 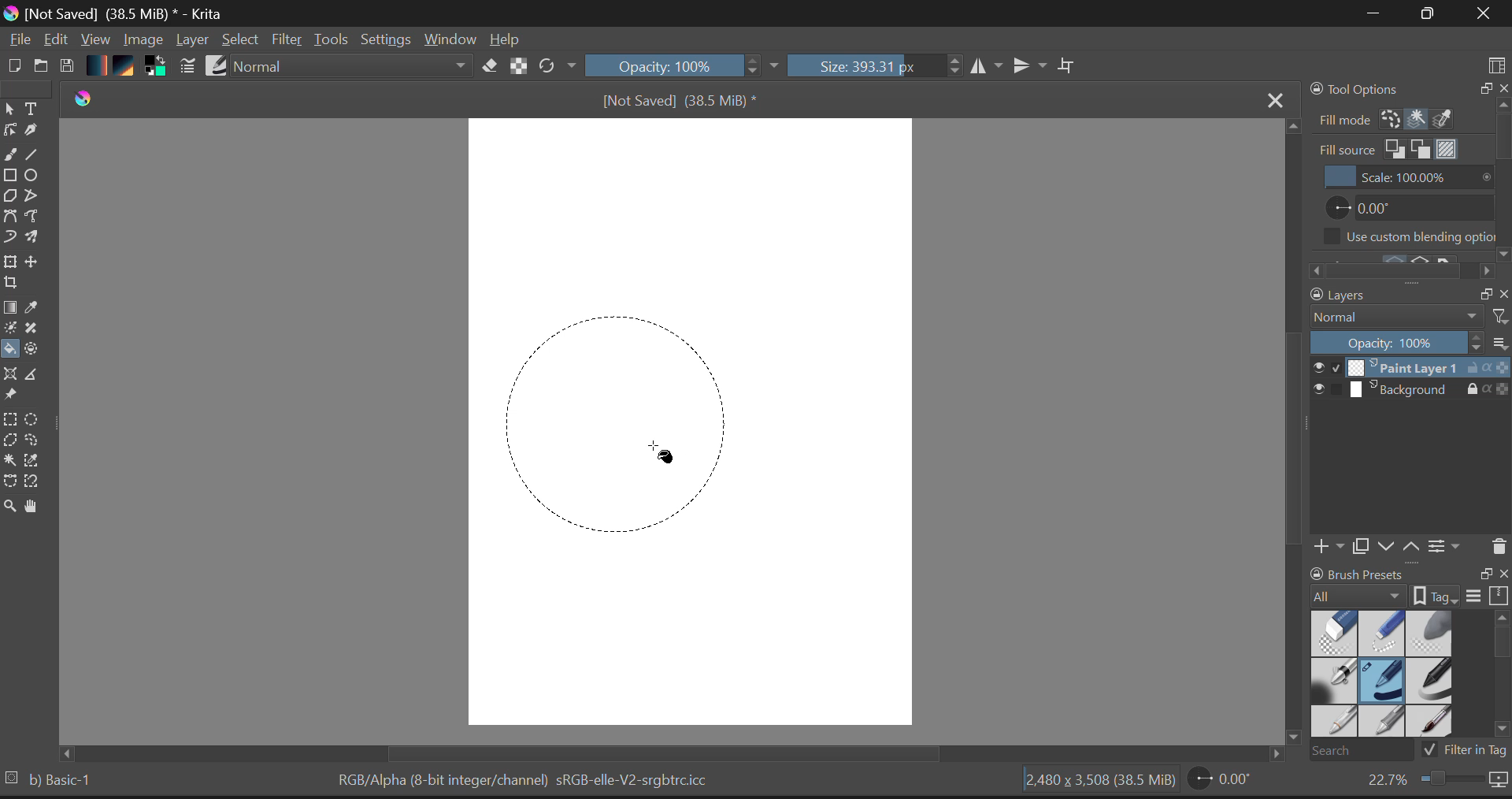 What do you see at coordinates (143, 39) in the screenshot?
I see `Image` at bounding box center [143, 39].